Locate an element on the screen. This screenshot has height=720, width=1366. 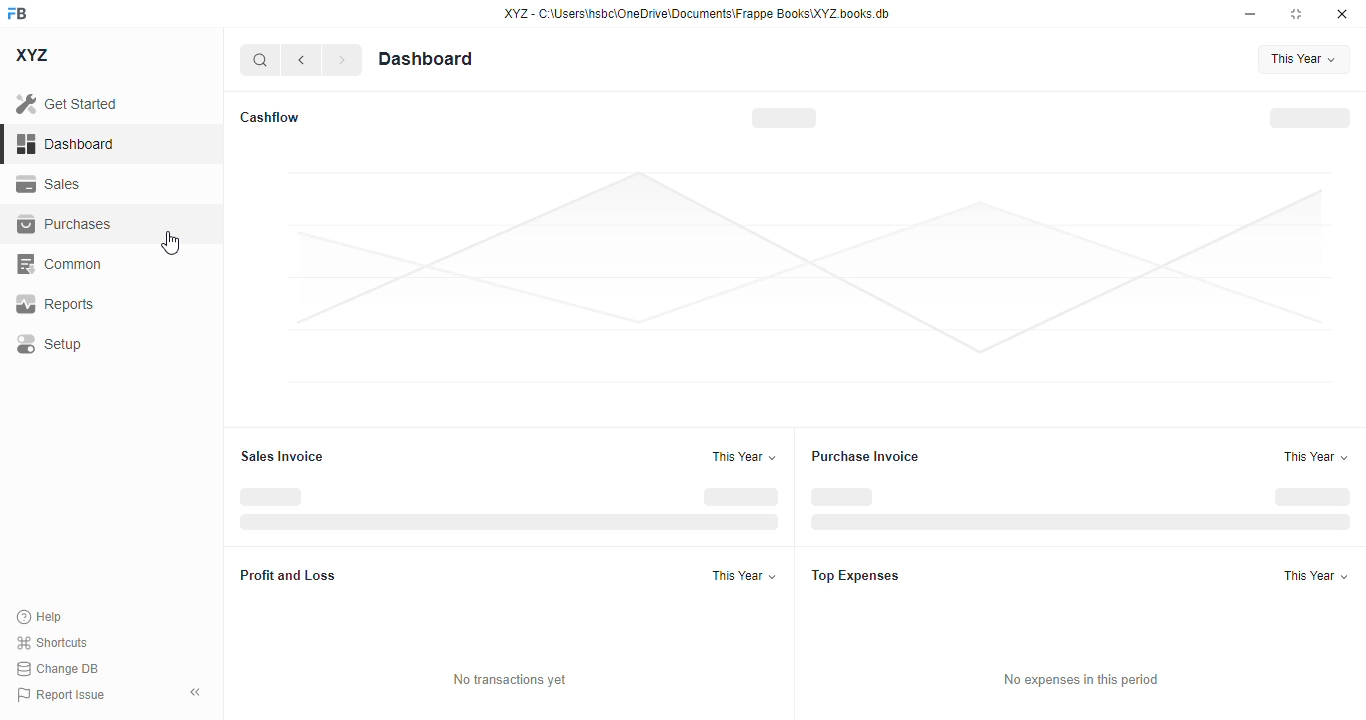
setup is located at coordinates (51, 344).